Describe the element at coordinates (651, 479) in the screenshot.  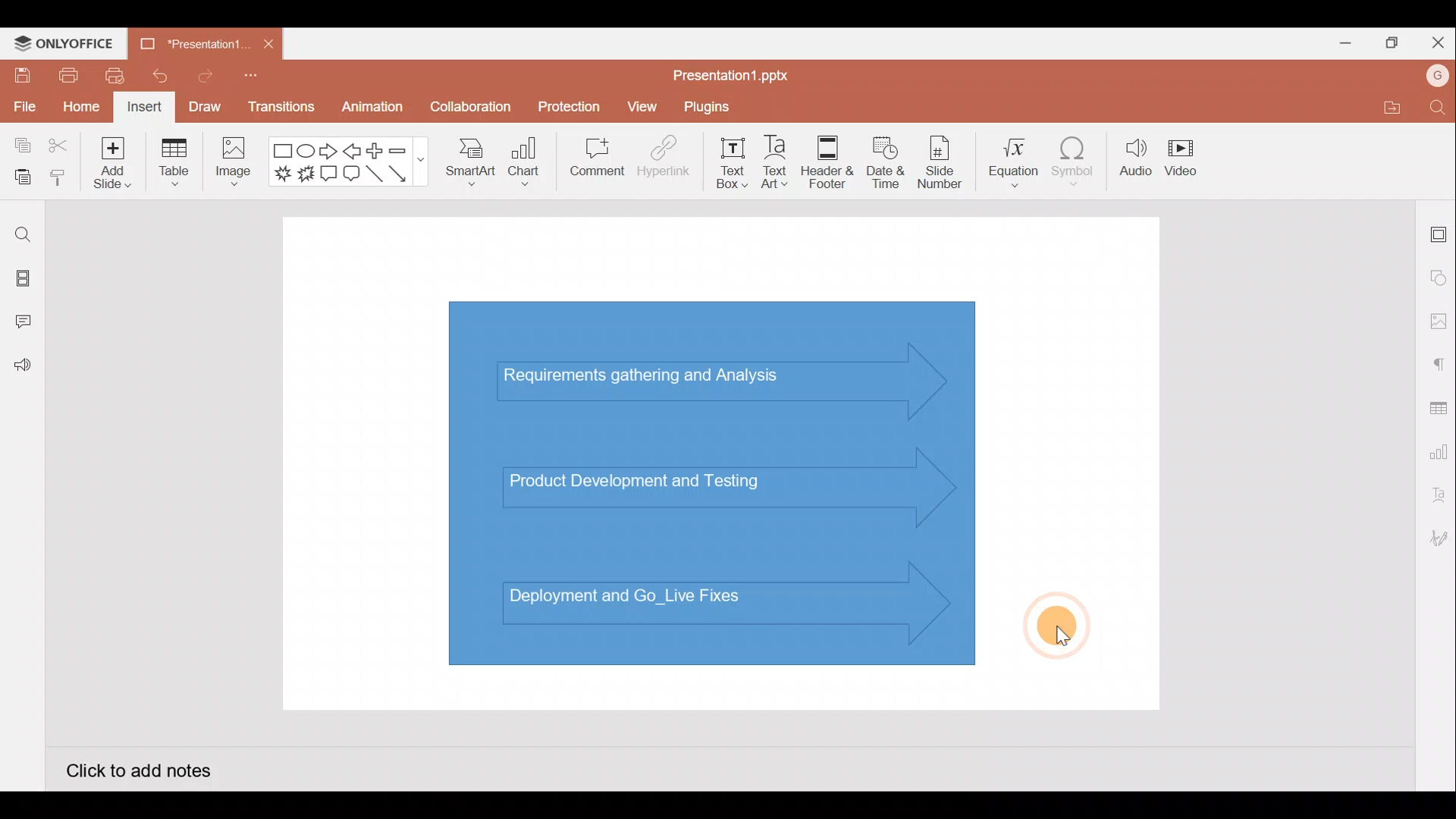
I see `Text (Product Development and Testing) on 2nd inserted arrow` at that location.